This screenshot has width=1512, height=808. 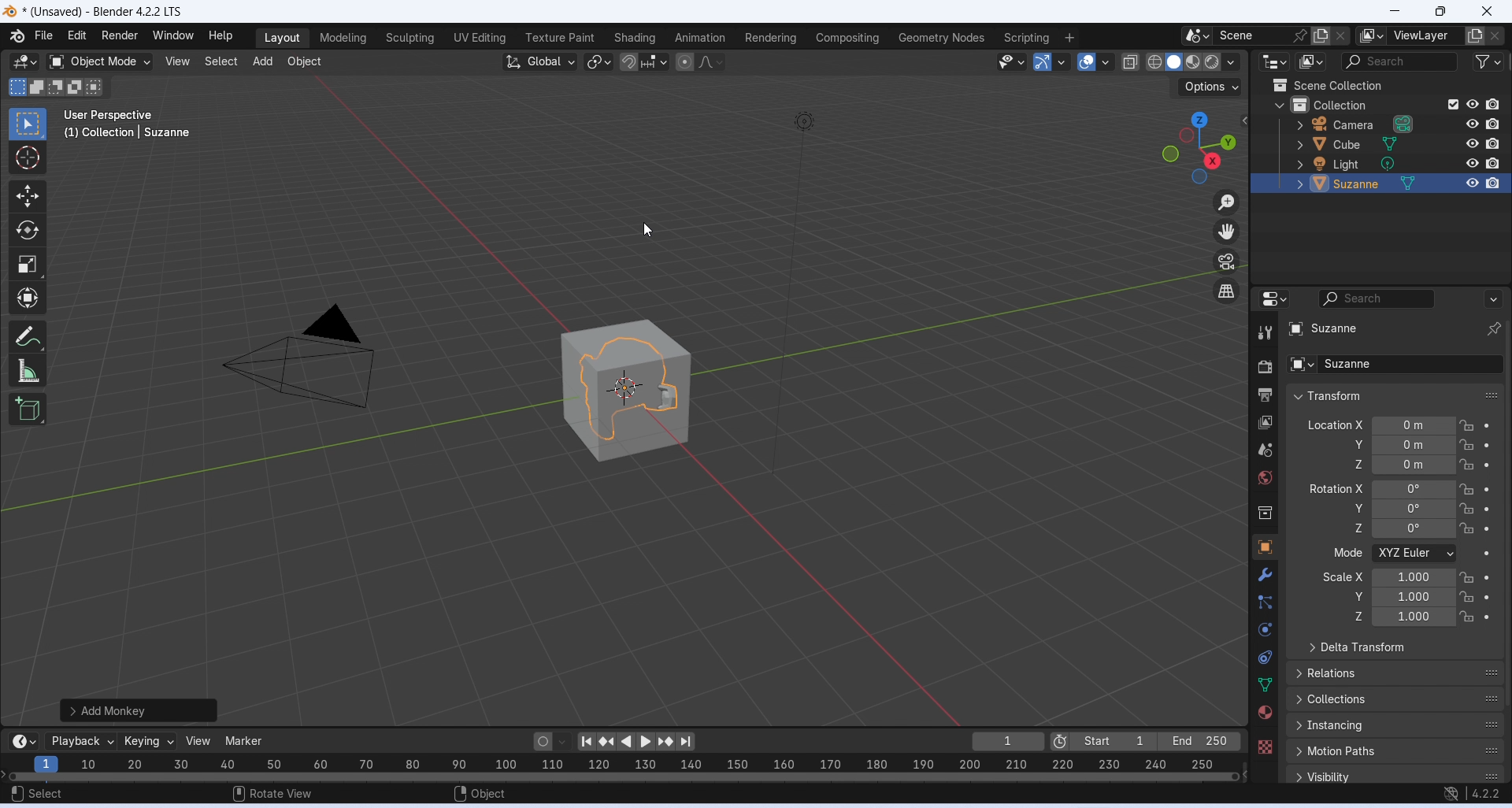 What do you see at coordinates (1211, 62) in the screenshot?
I see `rendered viewport shading` at bounding box center [1211, 62].